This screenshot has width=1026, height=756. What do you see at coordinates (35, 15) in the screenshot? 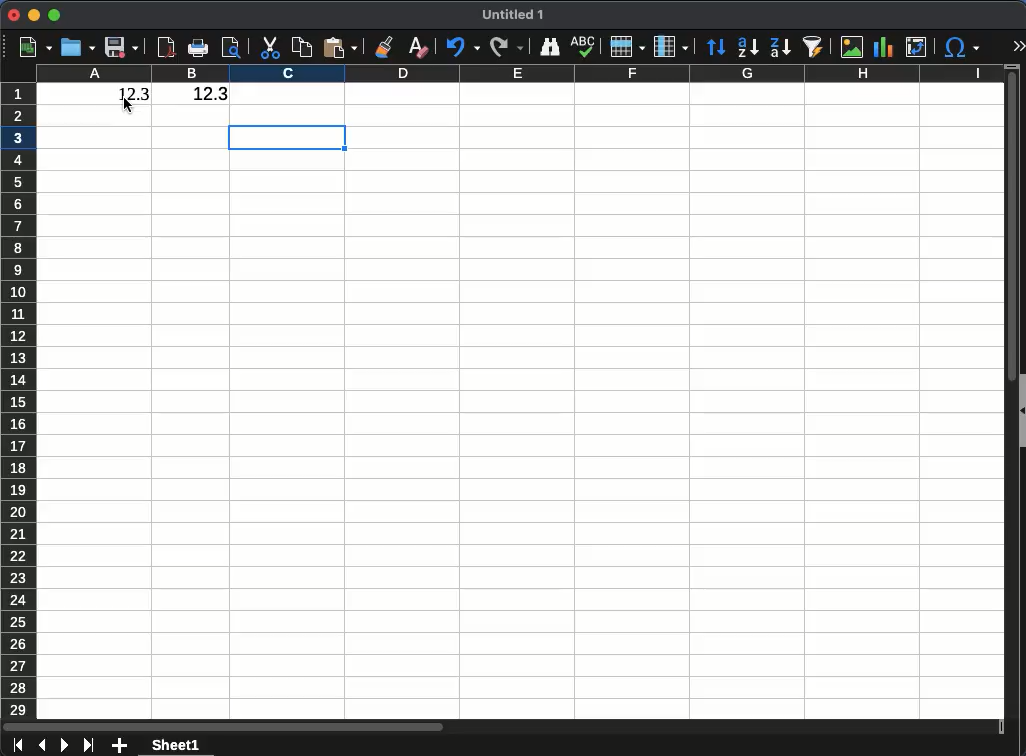
I see `minimize` at bounding box center [35, 15].